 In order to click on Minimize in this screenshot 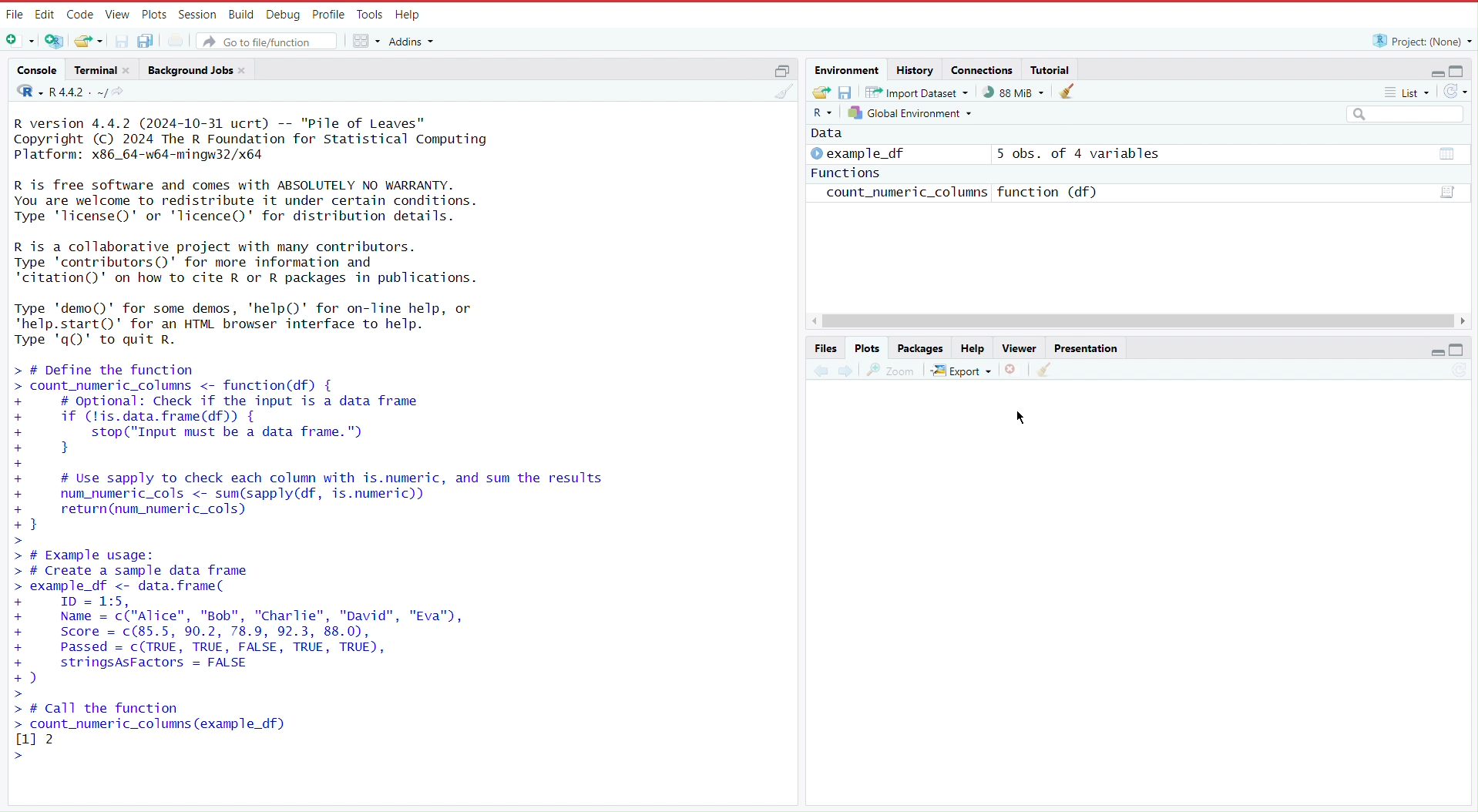, I will do `click(1438, 354)`.